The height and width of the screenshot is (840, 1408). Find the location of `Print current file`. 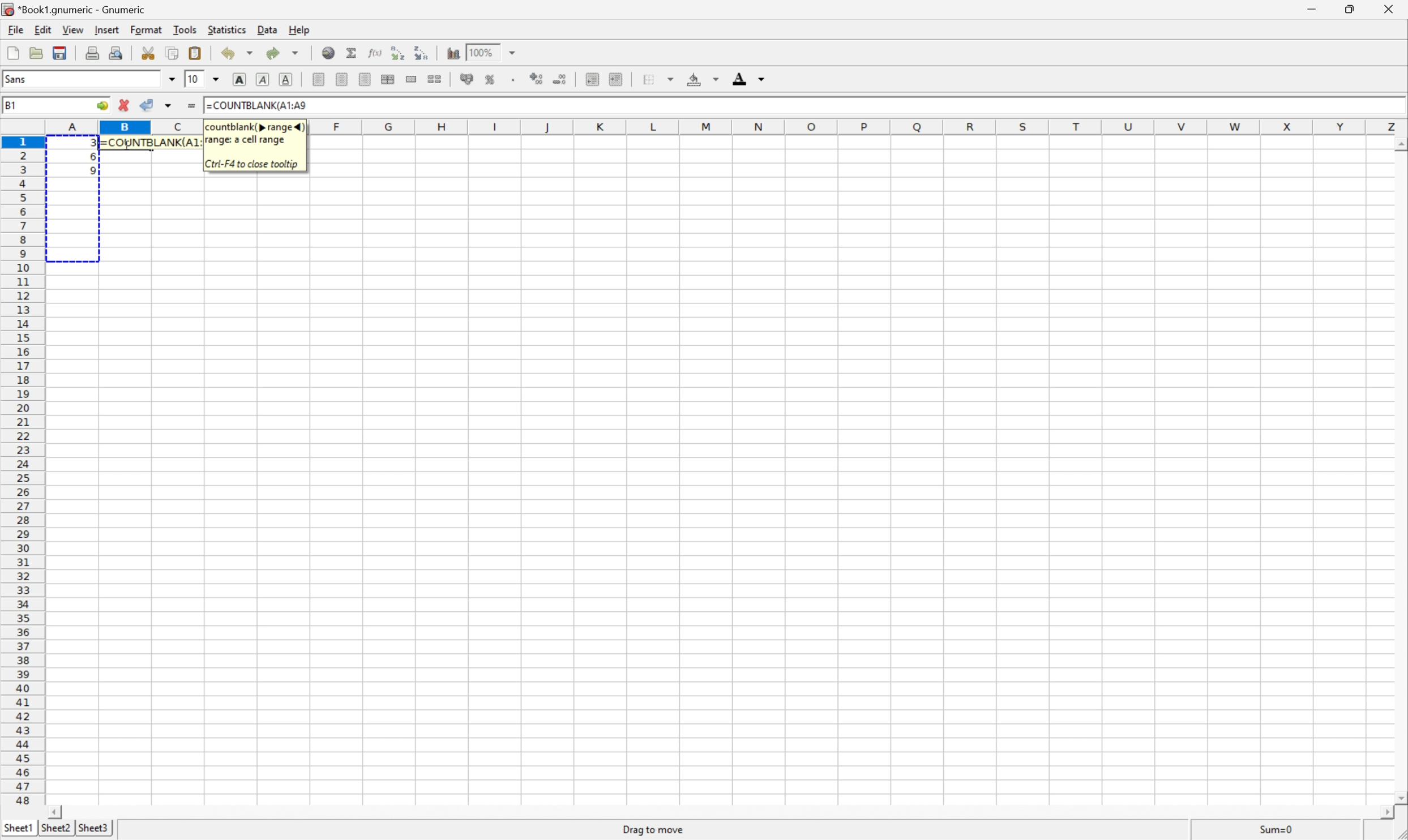

Print current file is located at coordinates (93, 52).